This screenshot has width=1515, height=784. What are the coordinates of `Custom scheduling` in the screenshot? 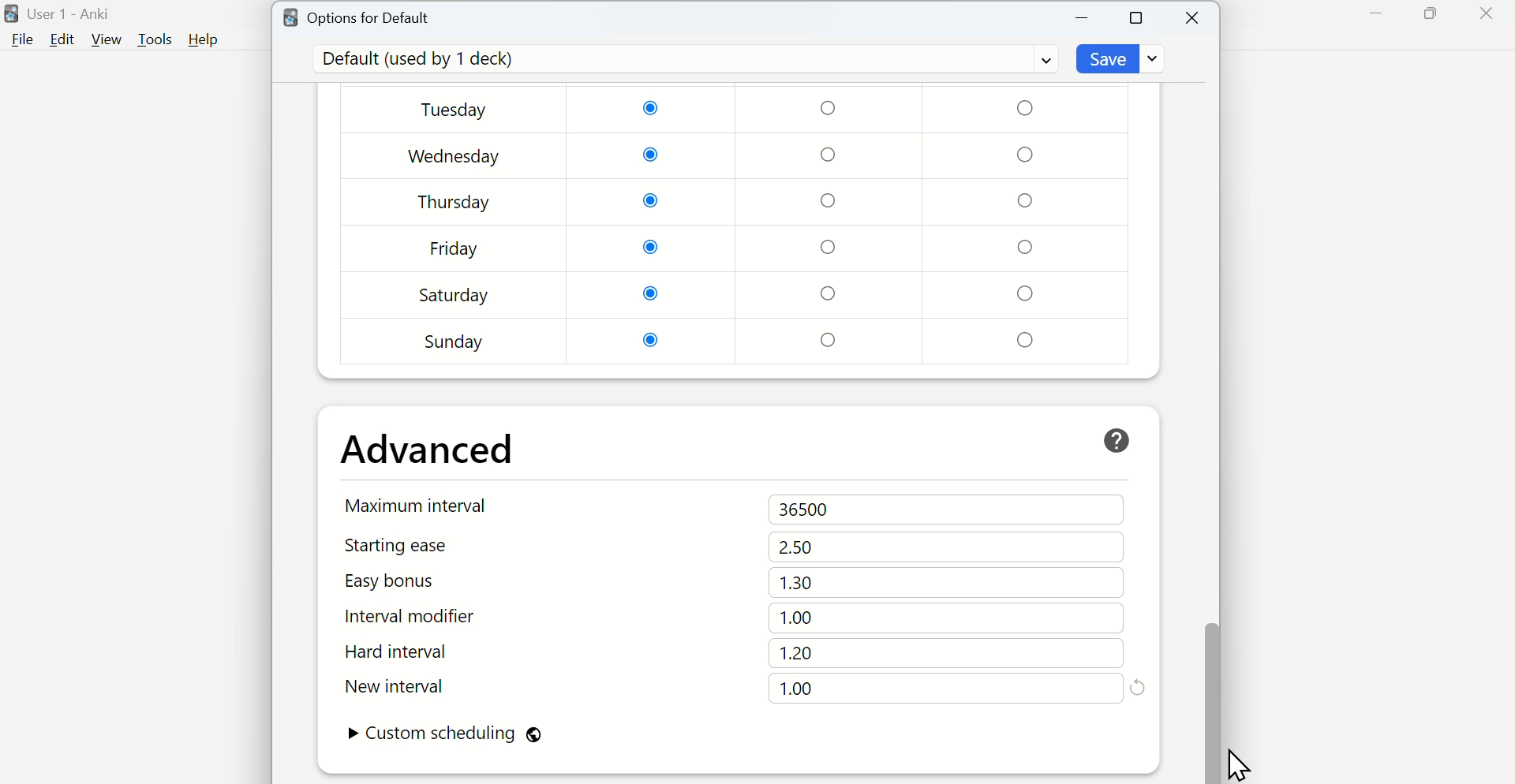 It's located at (444, 735).